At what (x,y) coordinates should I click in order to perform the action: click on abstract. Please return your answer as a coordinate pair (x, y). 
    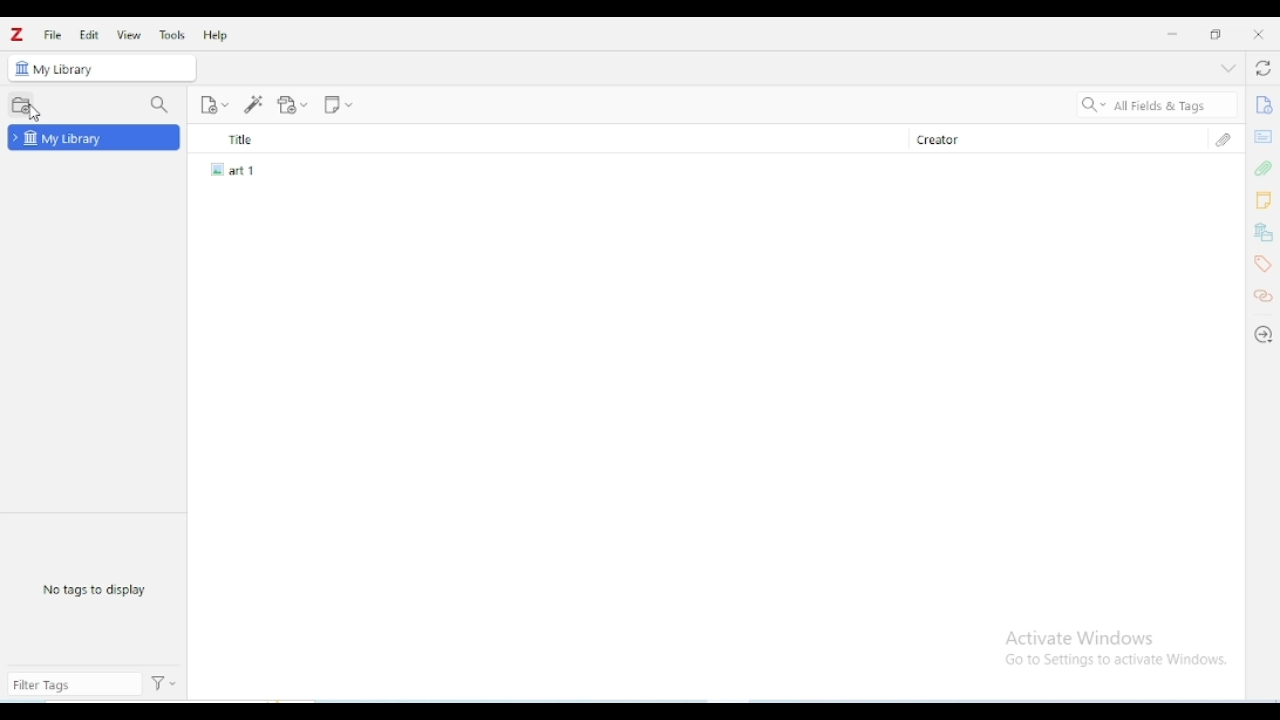
    Looking at the image, I should click on (1263, 135).